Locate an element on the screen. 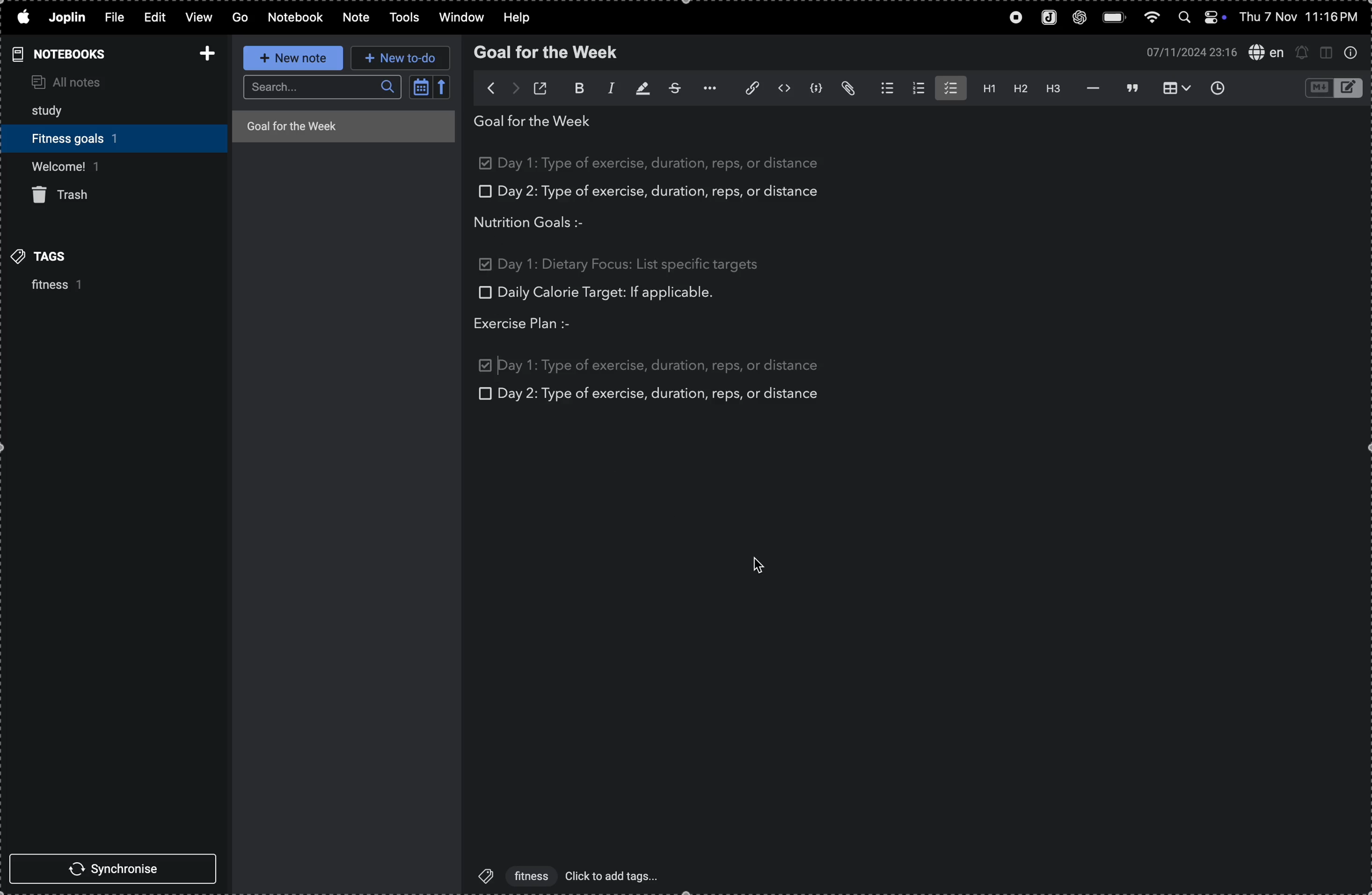  window is located at coordinates (458, 18).